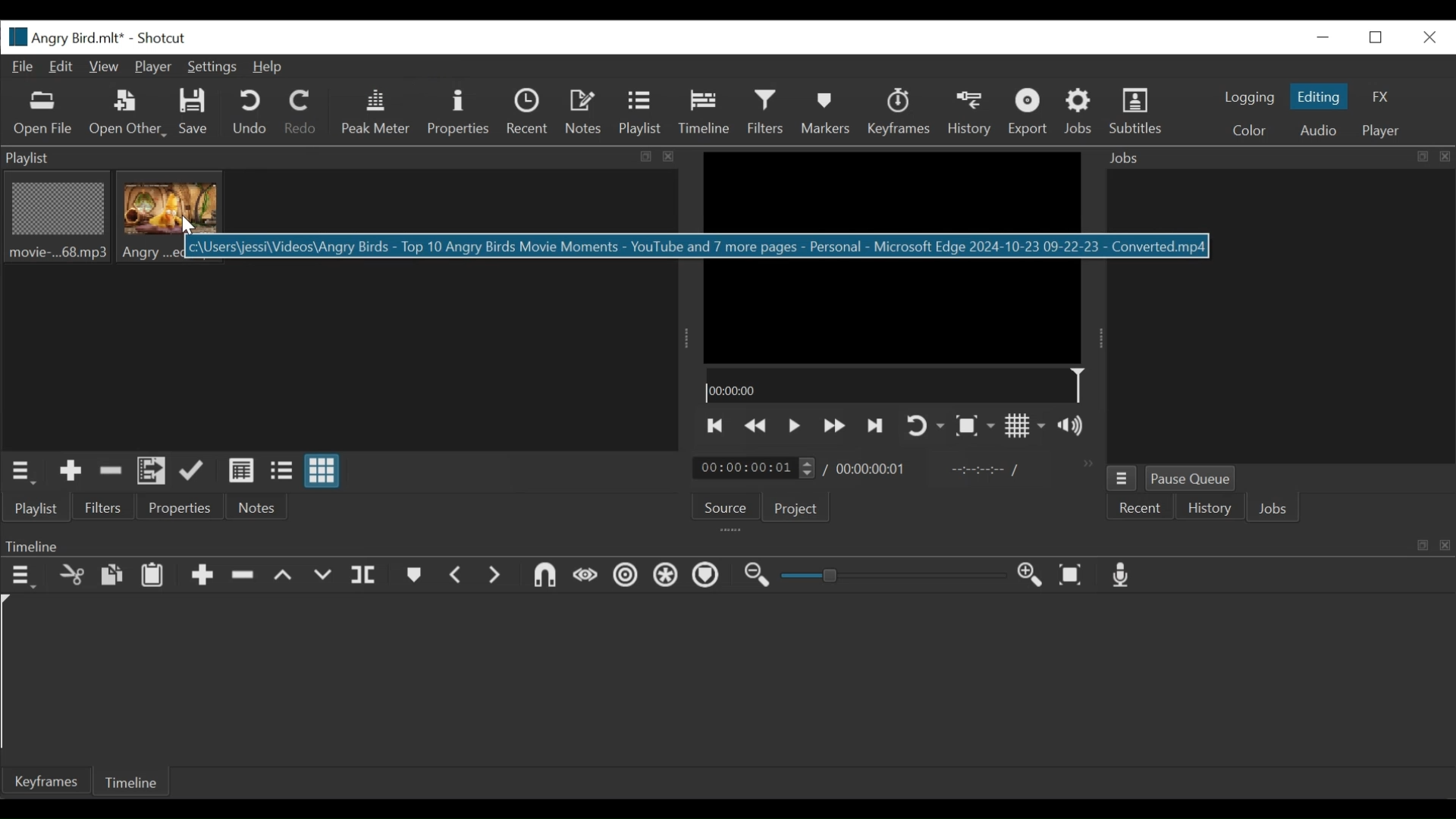 This screenshot has height=819, width=1456. I want to click on Toggle player looping, so click(923, 427).